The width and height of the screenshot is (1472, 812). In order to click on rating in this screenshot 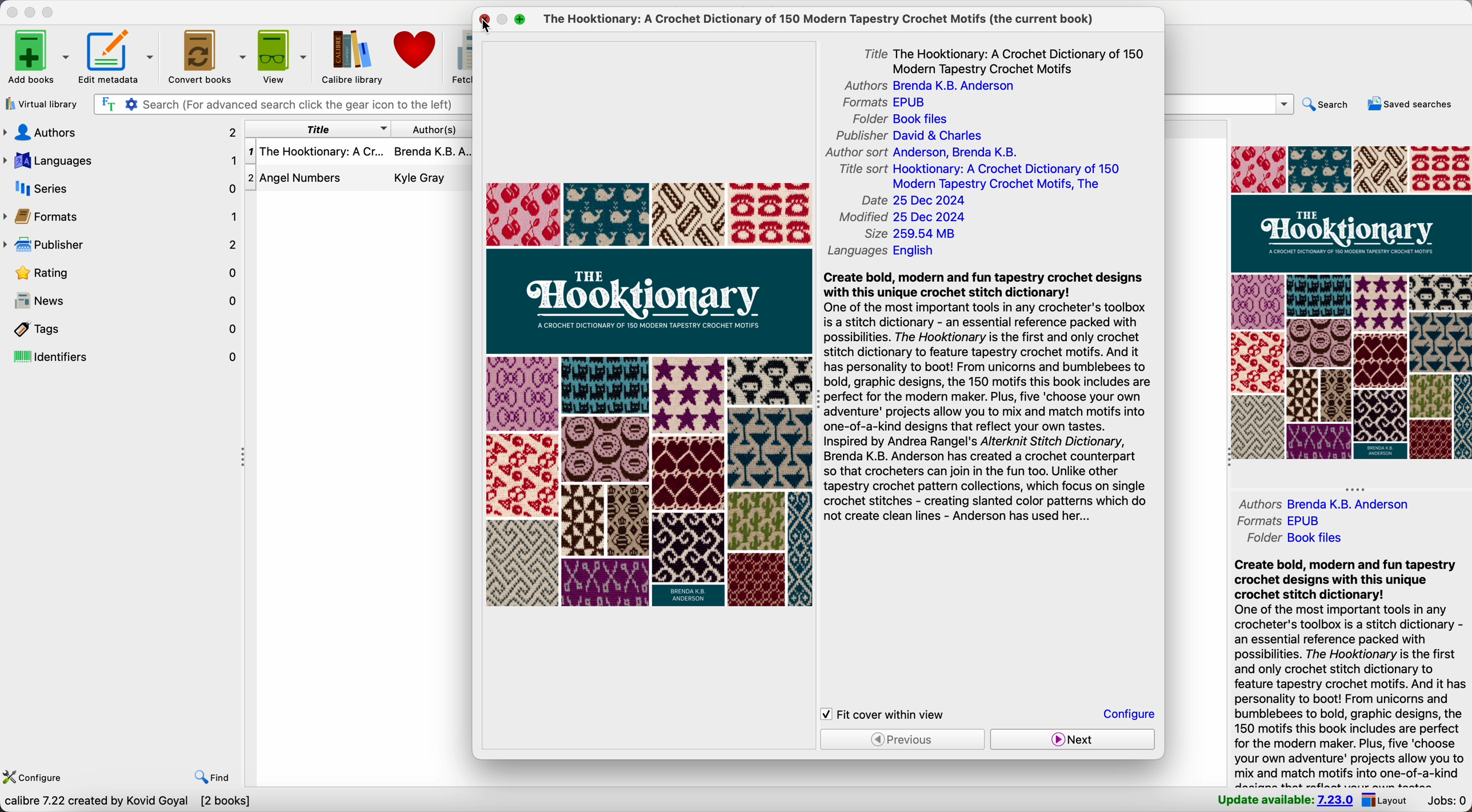, I will do `click(130, 275)`.